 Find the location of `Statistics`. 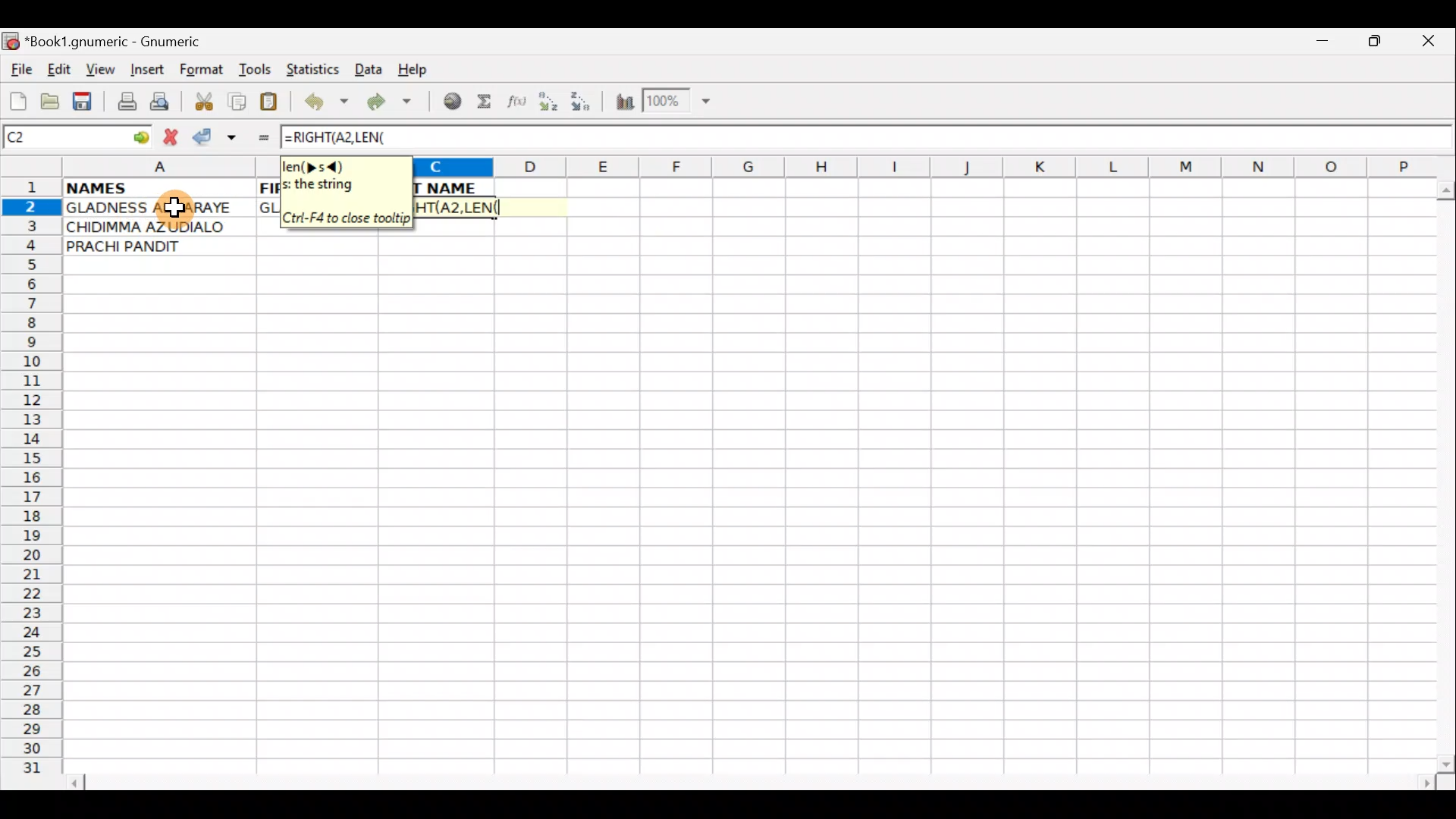

Statistics is located at coordinates (317, 68).